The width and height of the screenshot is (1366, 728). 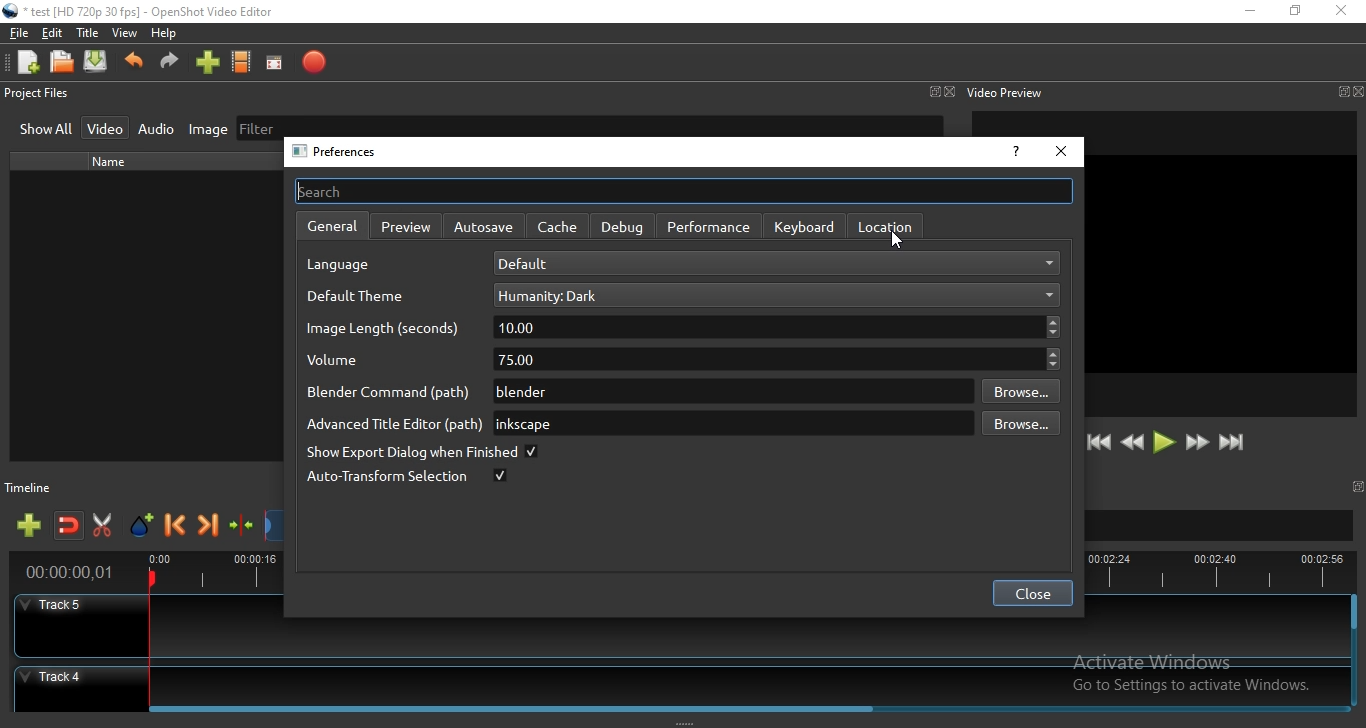 I want to click on Edit , so click(x=53, y=35).